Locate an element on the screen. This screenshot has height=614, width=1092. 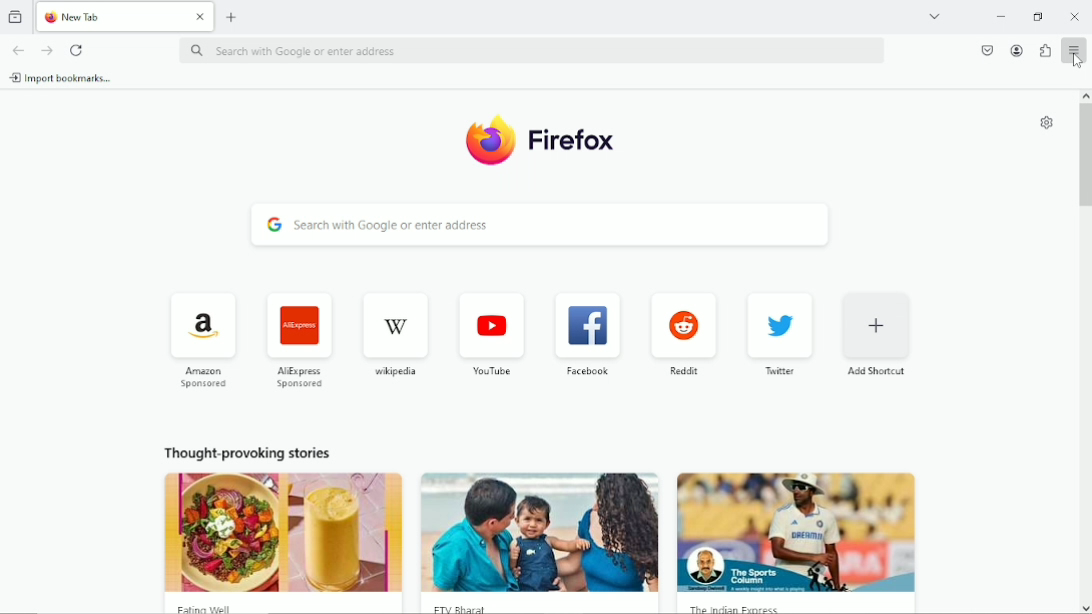
icon is located at coordinates (198, 328).